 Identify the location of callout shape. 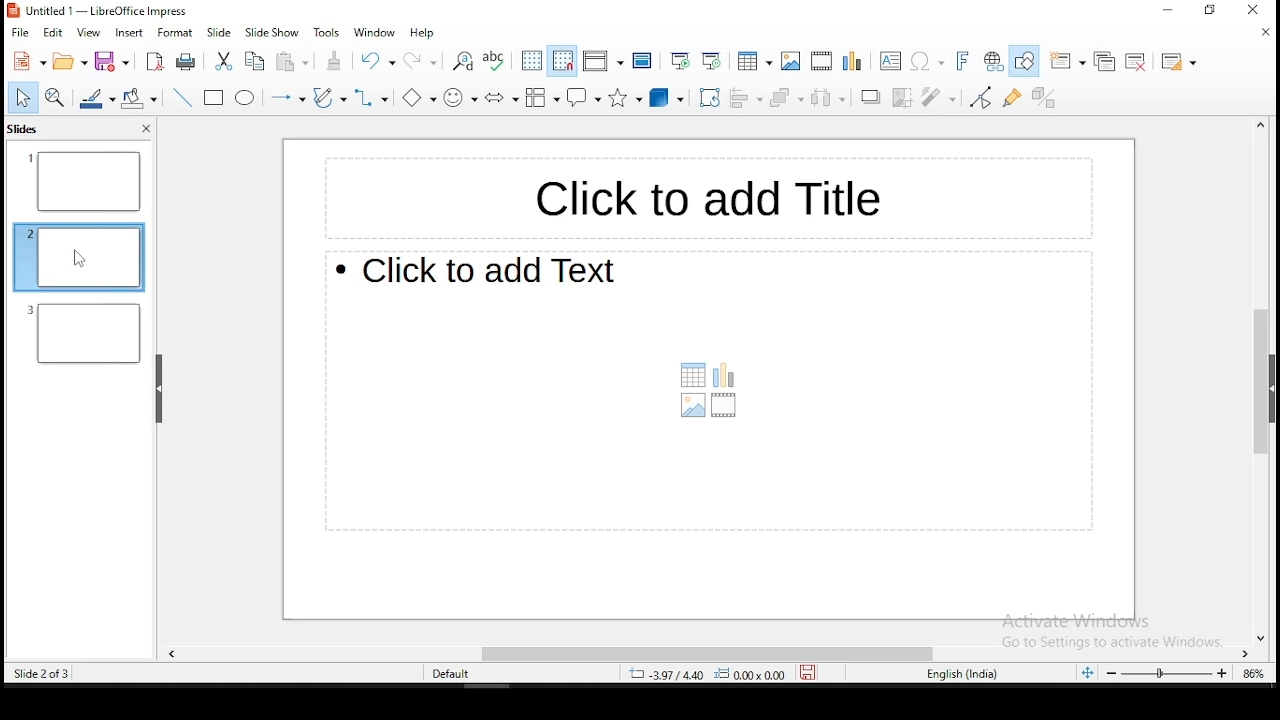
(584, 97).